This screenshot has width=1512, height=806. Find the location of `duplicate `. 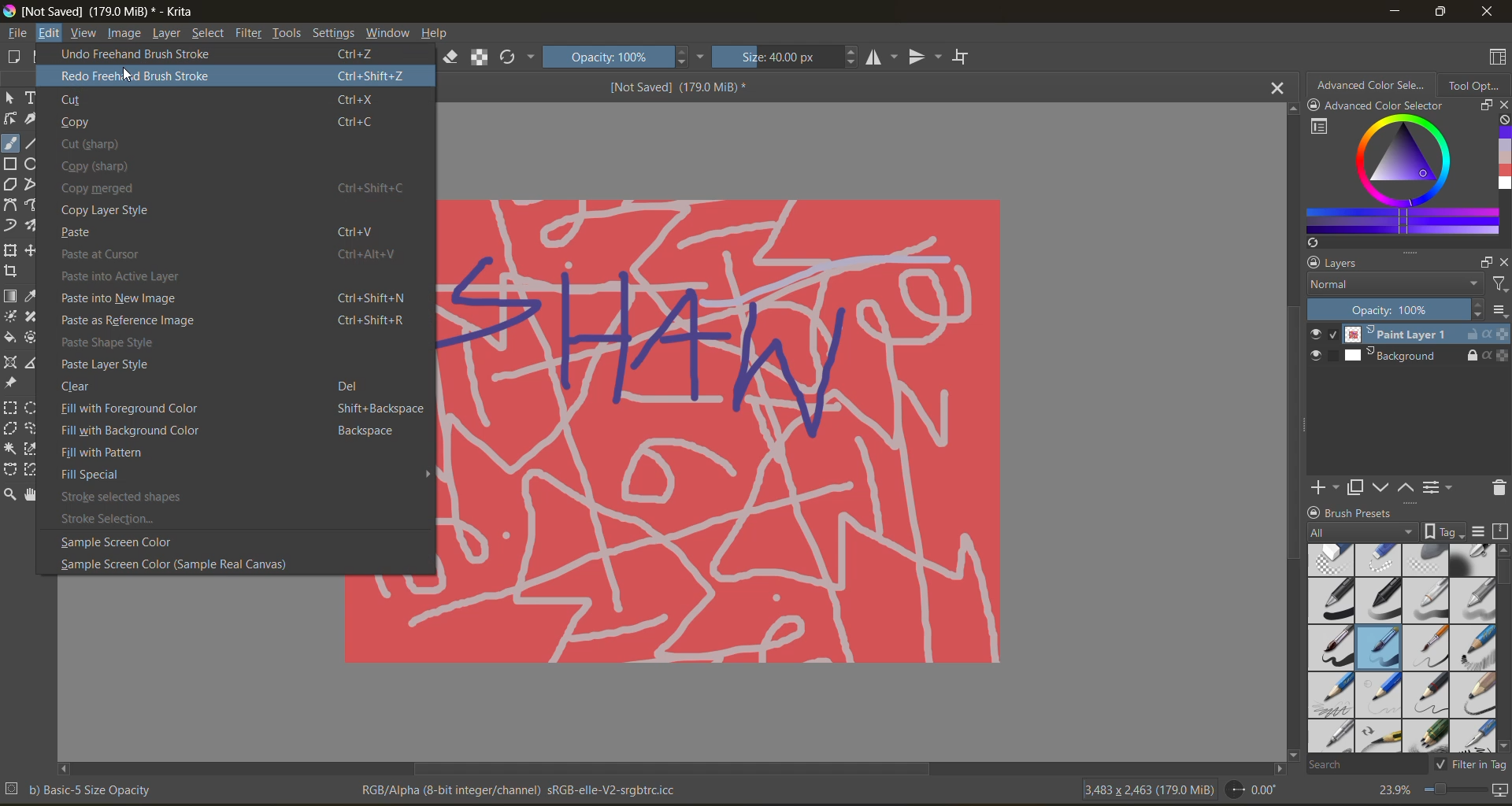

duplicate  is located at coordinates (1355, 487).